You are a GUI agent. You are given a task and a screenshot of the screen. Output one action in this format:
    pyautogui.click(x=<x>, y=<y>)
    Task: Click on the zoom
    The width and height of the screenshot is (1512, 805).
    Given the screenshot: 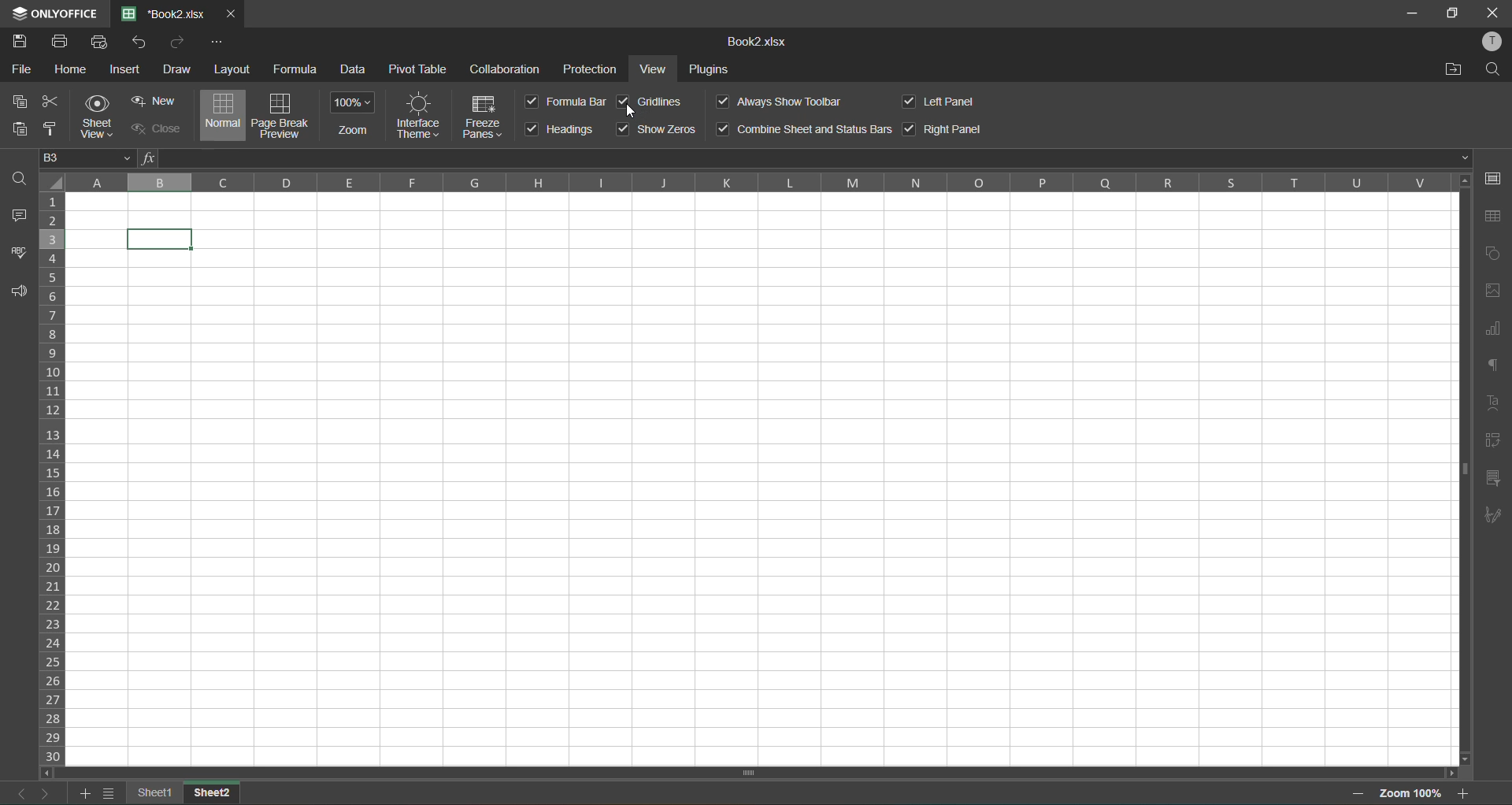 What is the action you would take?
    pyautogui.click(x=354, y=115)
    